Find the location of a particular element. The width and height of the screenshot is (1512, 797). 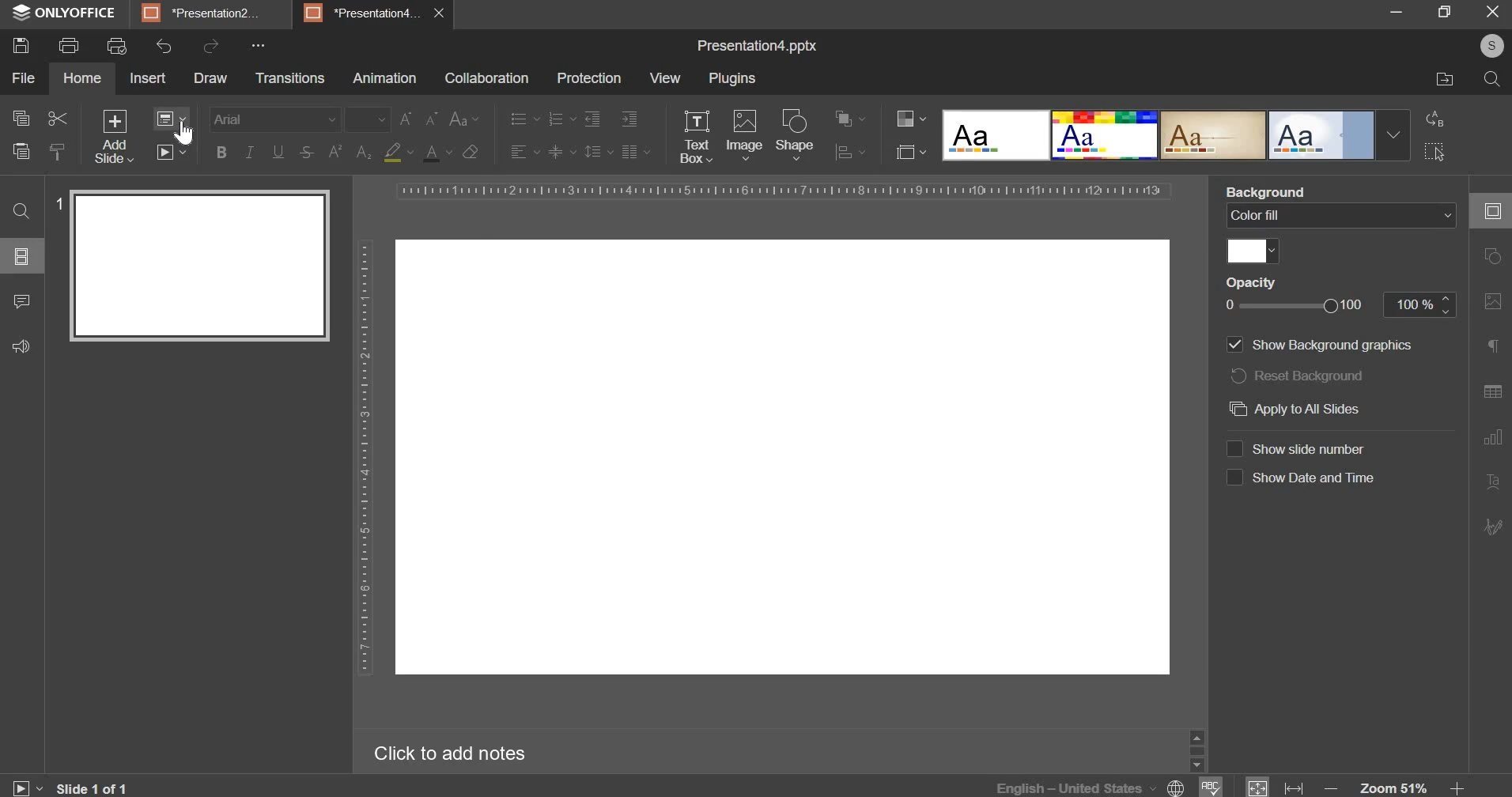

horizontal scale is located at coordinates (784, 190).